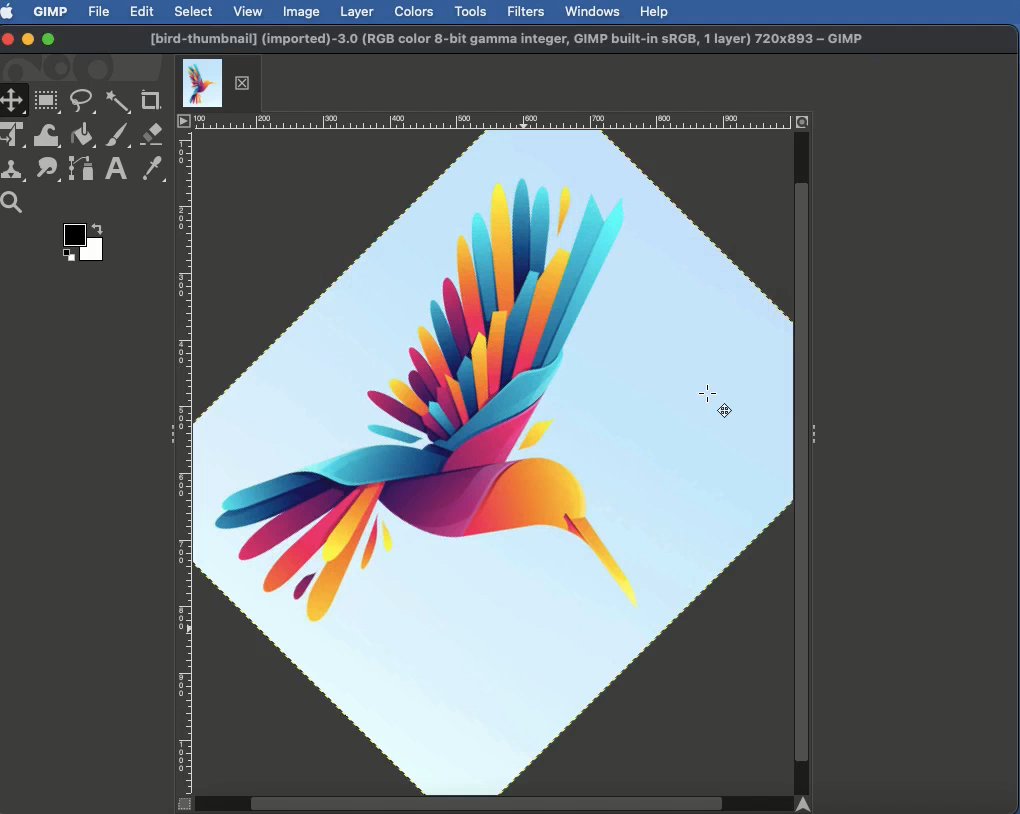 This screenshot has height=814, width=1020. Describe the element at coordinates (186, 462) in the screenshot. I see `vertical Ruler` at that location.